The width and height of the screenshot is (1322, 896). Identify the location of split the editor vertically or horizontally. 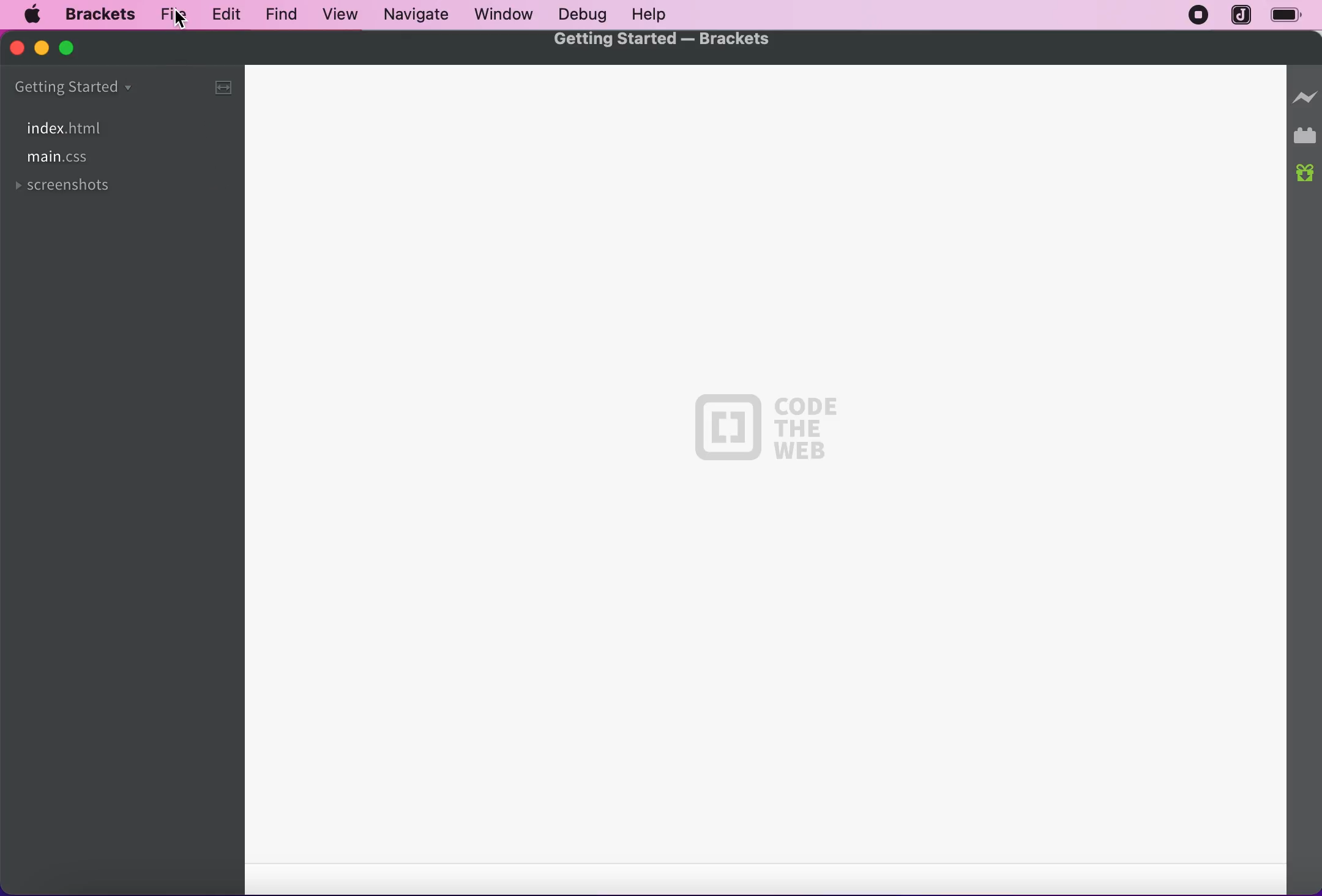
(220, 86).